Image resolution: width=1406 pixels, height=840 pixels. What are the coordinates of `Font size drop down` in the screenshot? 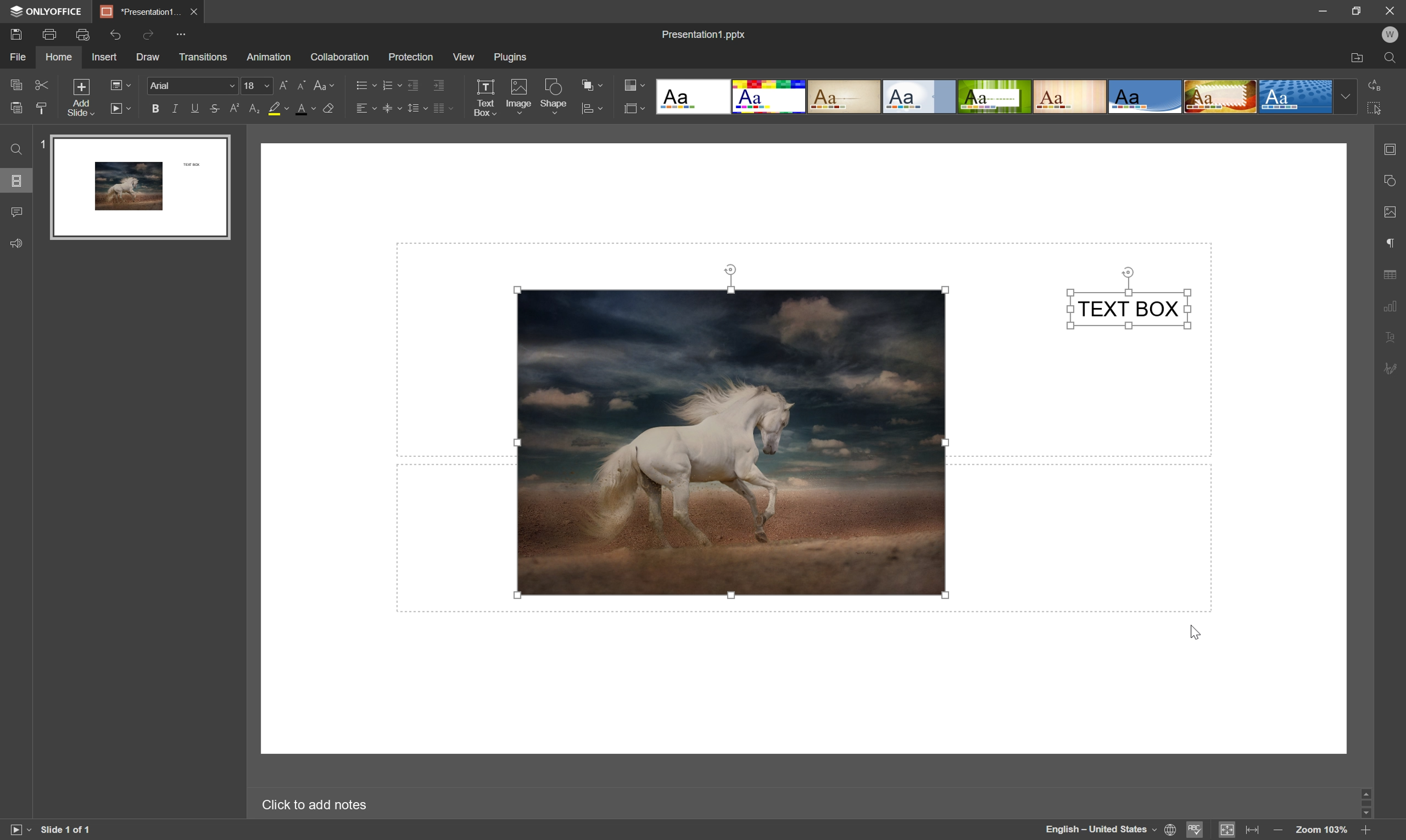 It's located at (256, 84).